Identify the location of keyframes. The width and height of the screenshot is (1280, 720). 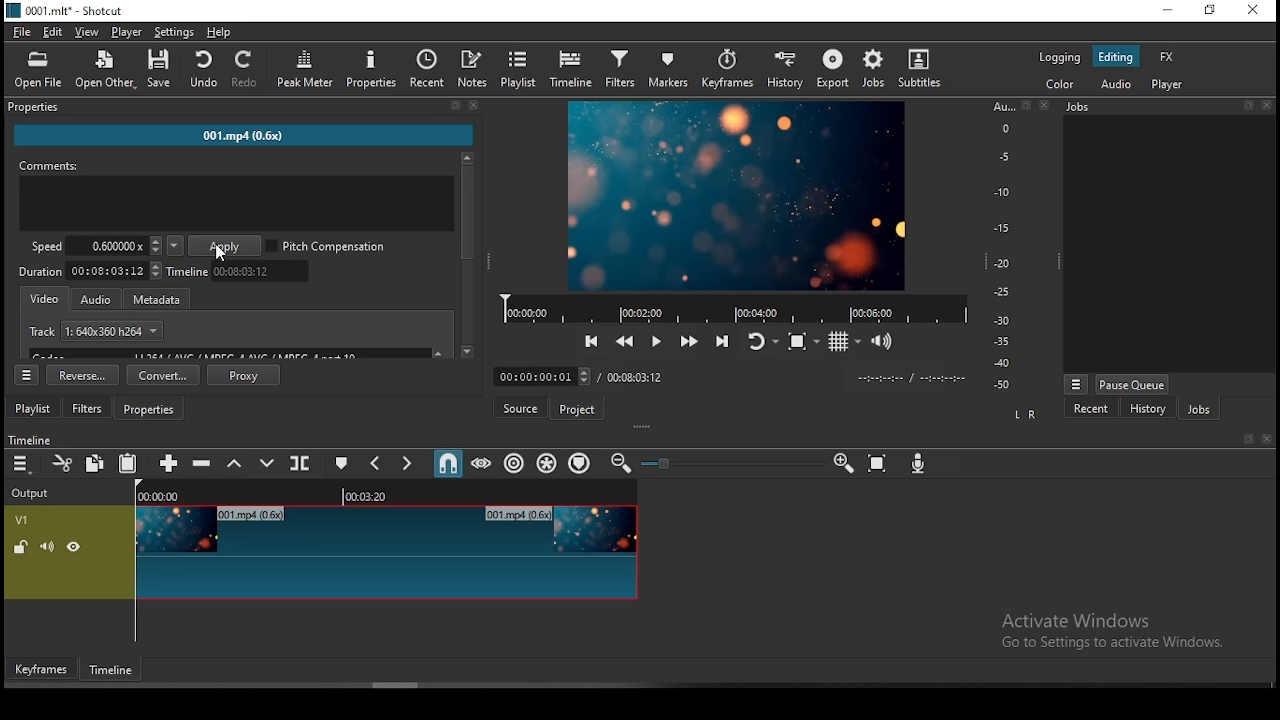
(43, 669).